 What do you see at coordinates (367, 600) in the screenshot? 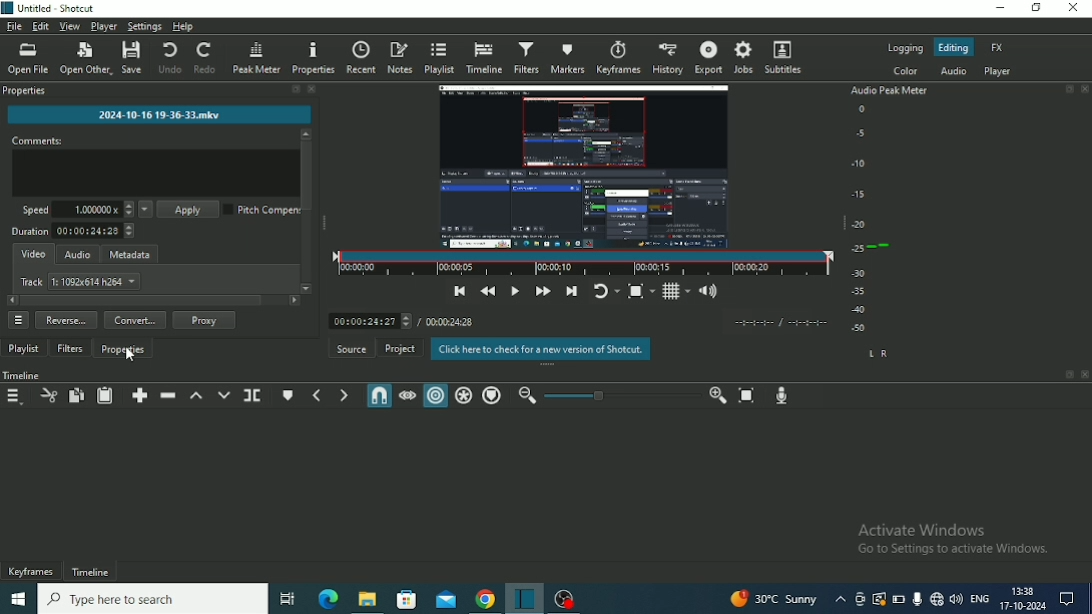
I see `File Explorer` at bounding box center [367, 600].